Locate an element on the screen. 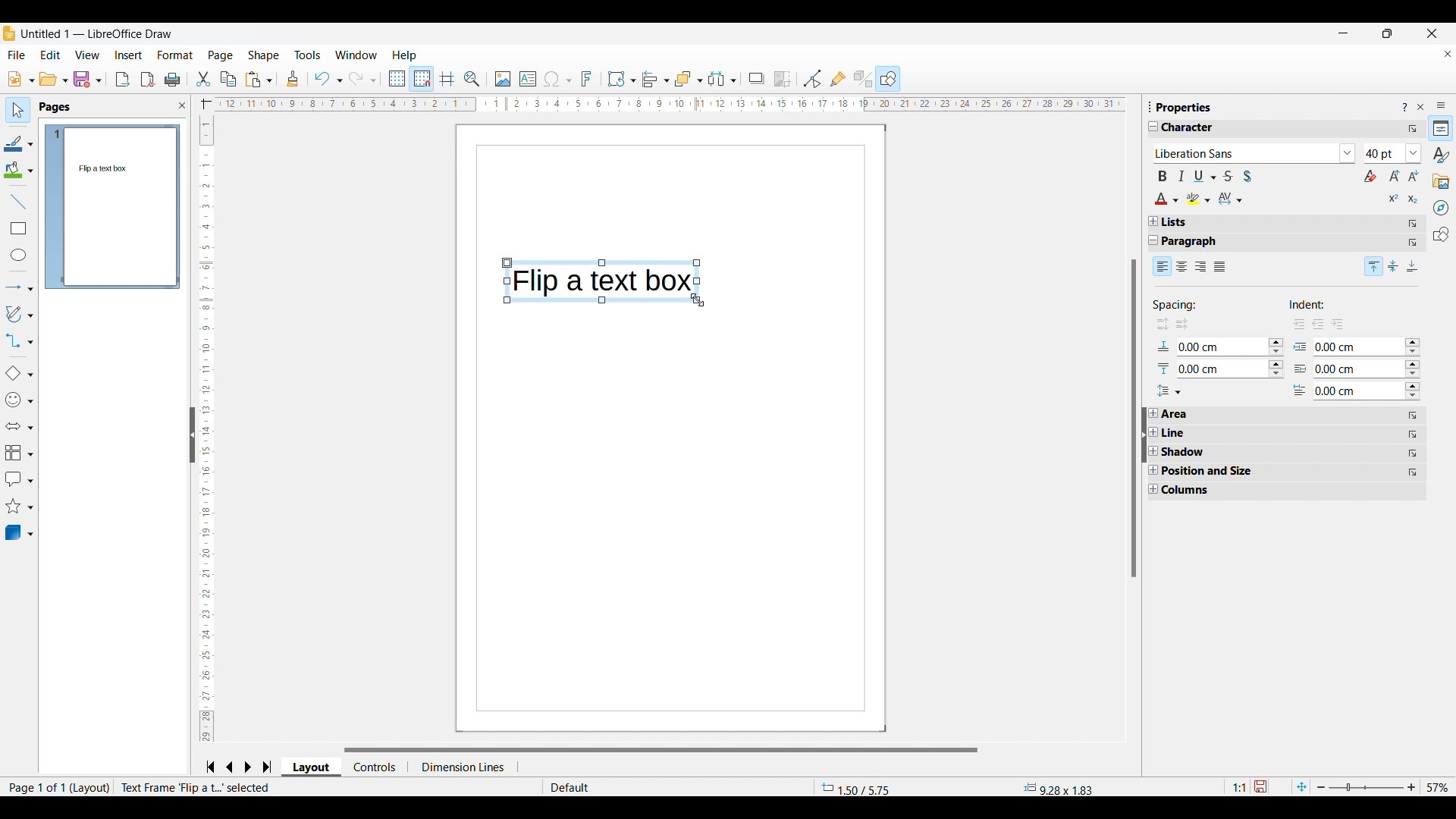  Transformation options is located at coordinates (622, 79).